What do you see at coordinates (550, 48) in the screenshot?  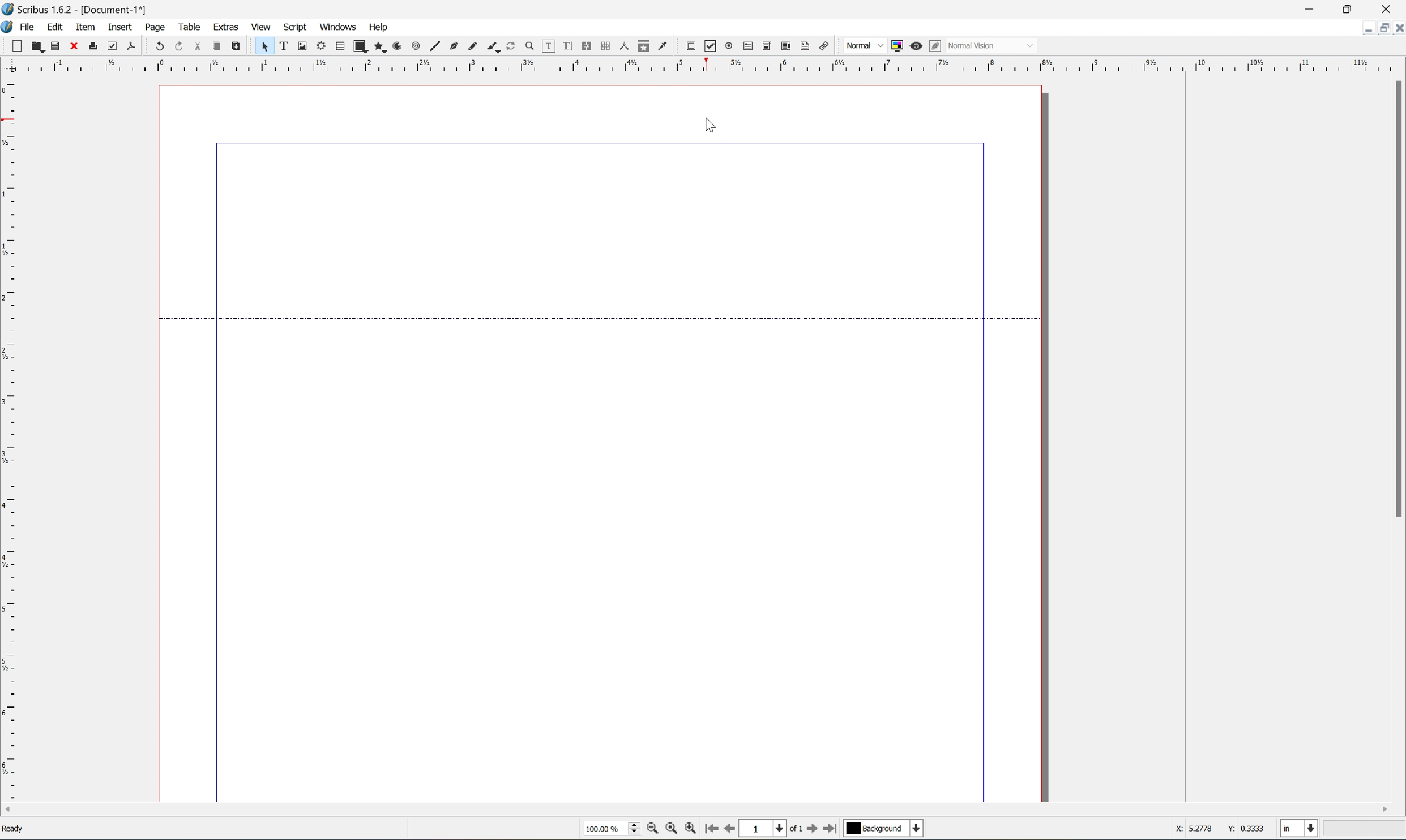 I see `edit contents of frames` at bounding box center [550, 48].